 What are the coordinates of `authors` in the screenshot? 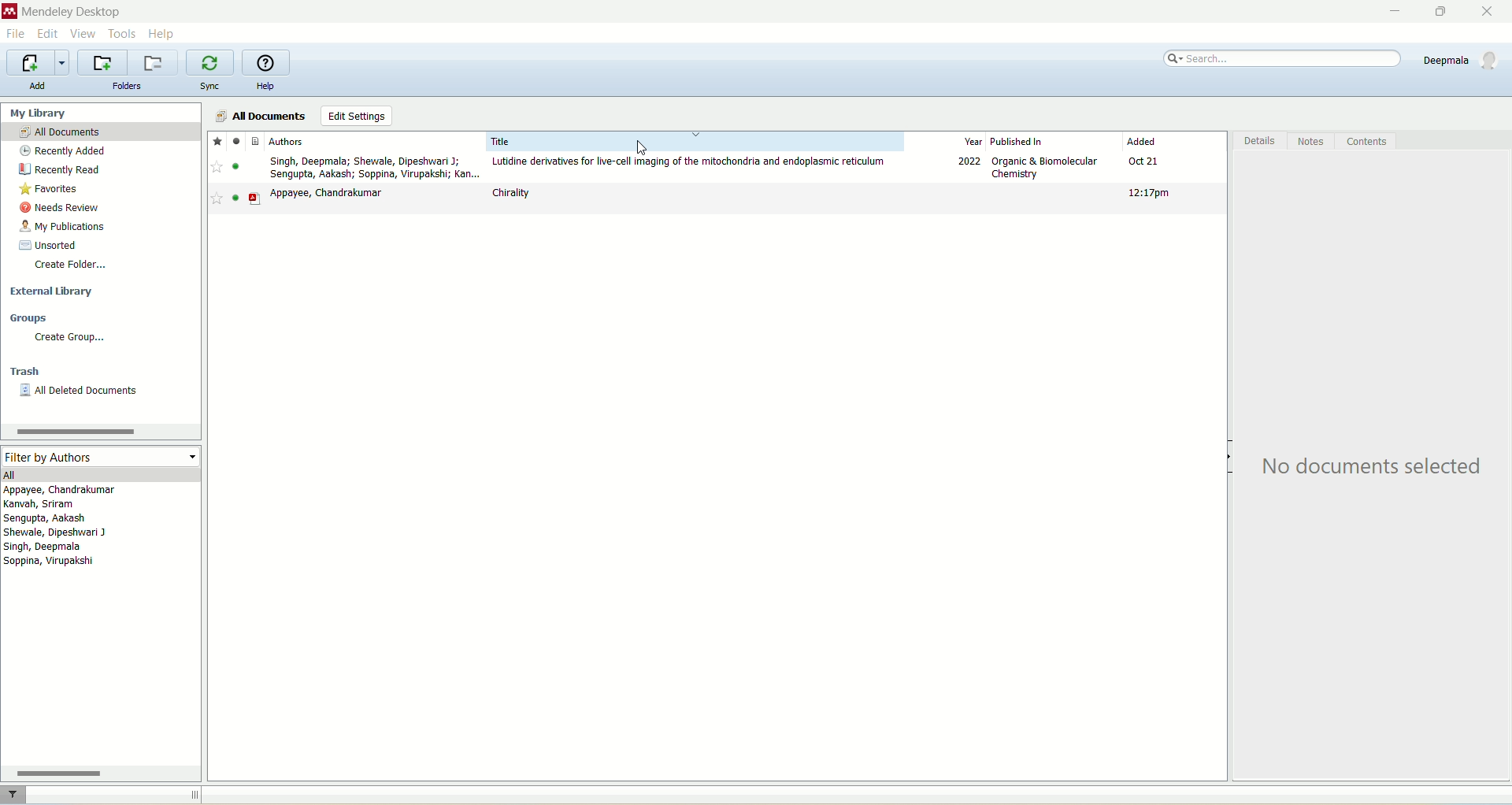 It's located at (359, 139).